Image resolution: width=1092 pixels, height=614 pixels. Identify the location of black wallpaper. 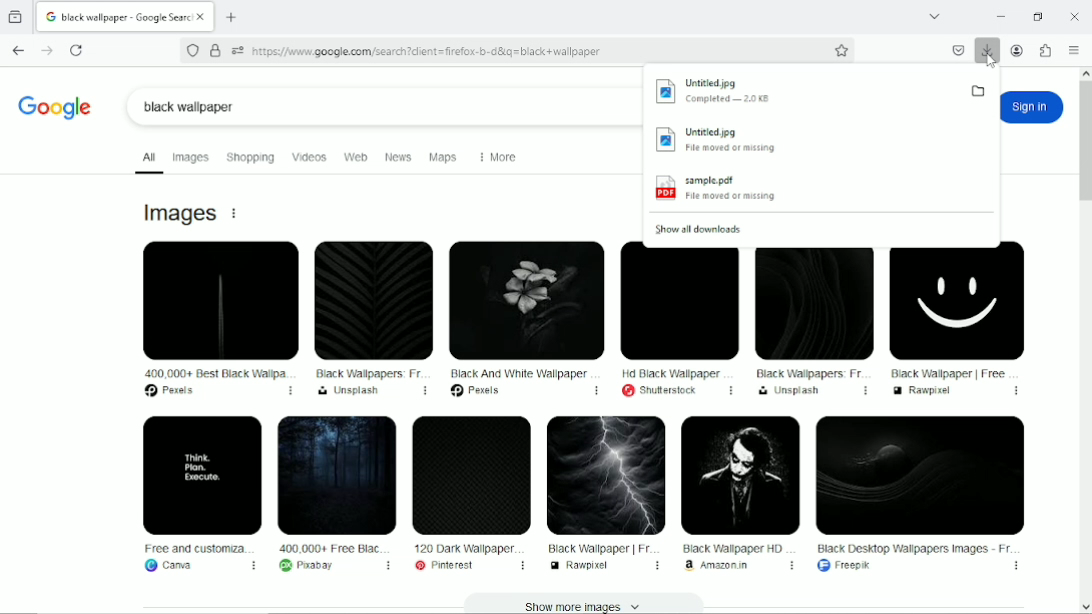
(385, 105).